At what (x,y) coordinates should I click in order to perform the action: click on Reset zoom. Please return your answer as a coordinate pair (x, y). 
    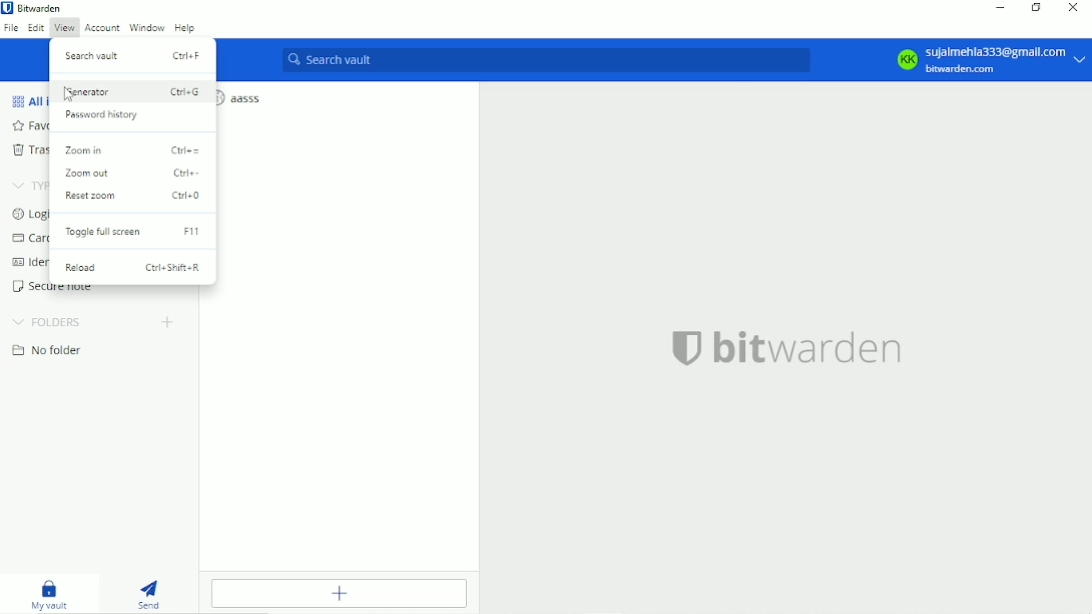
    Looking at the image, I should click on (134, 197).